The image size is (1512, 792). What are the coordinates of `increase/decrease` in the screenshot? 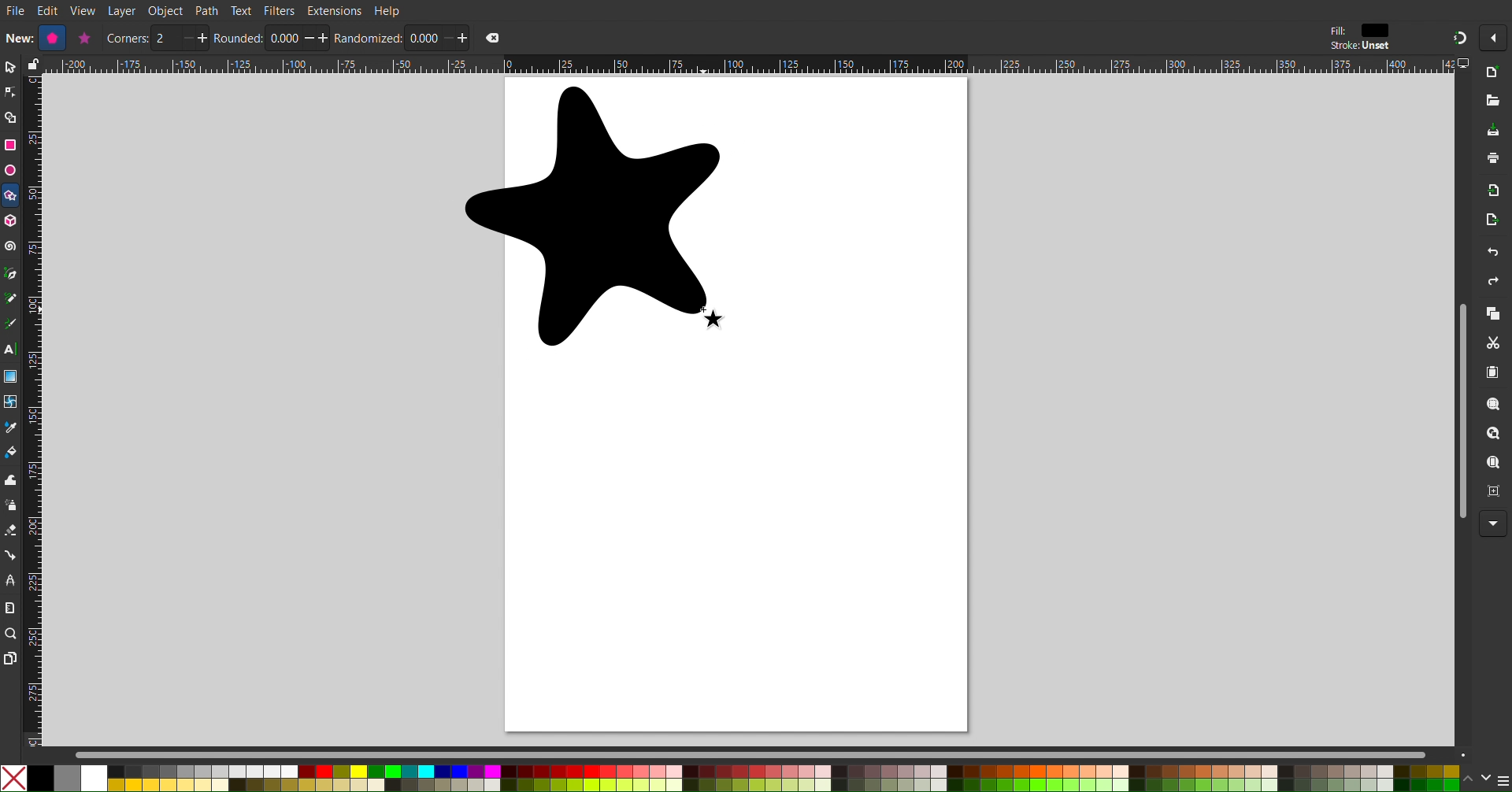 It's located at (194, 38).